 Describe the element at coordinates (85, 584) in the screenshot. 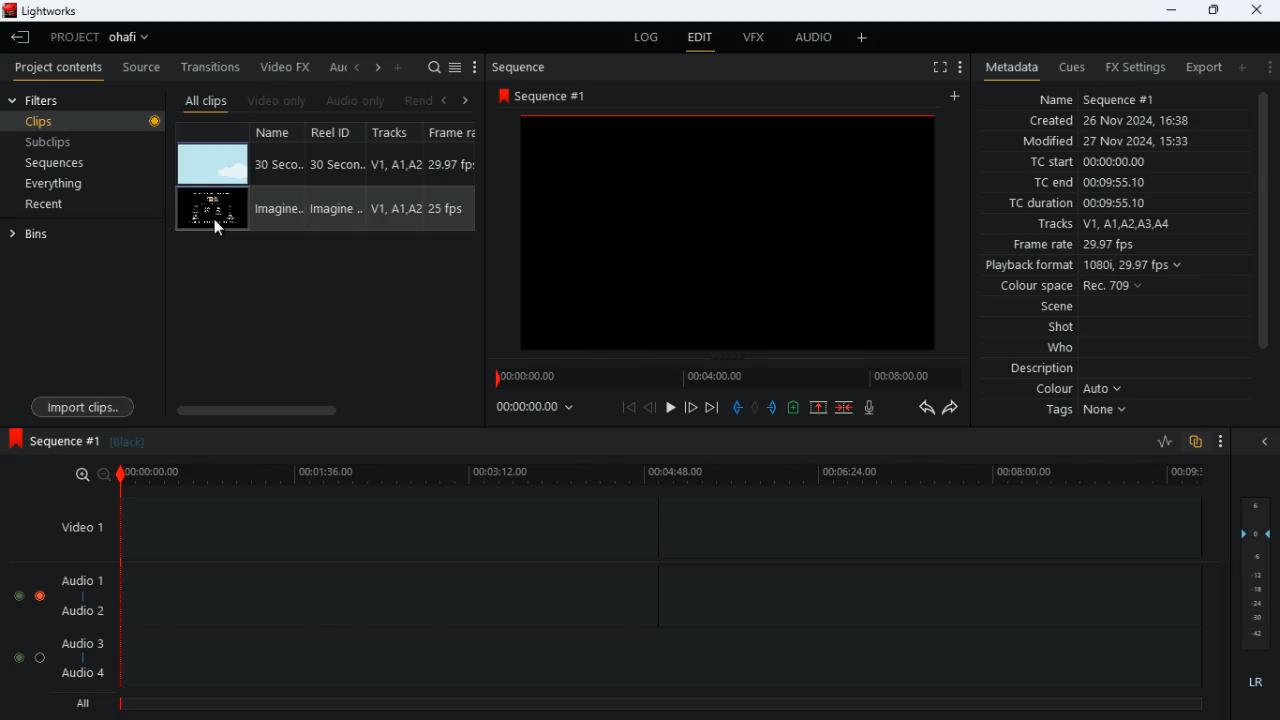

I see `audio 1` at that location.